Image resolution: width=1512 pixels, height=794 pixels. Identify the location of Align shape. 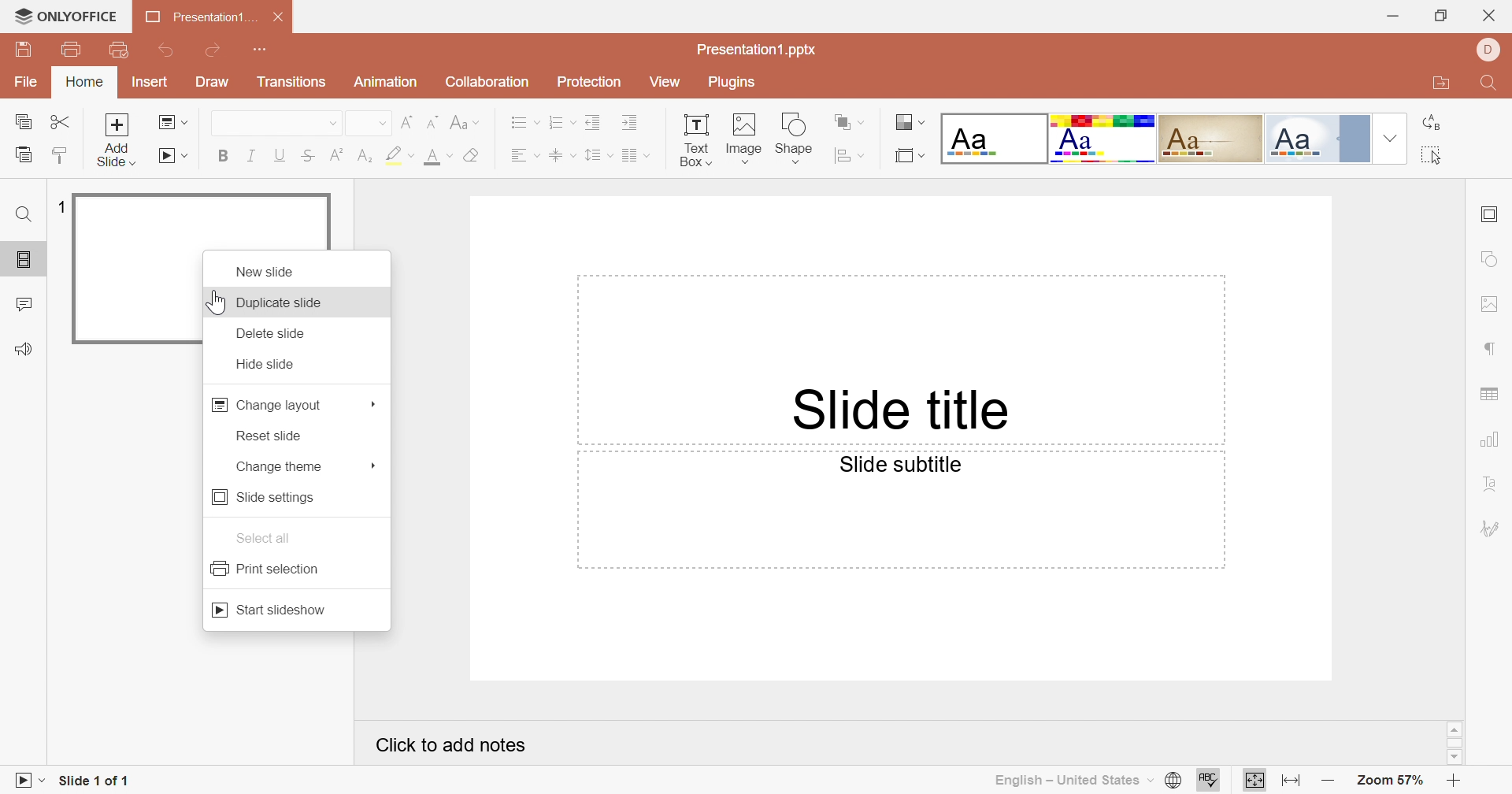
(850, 154).